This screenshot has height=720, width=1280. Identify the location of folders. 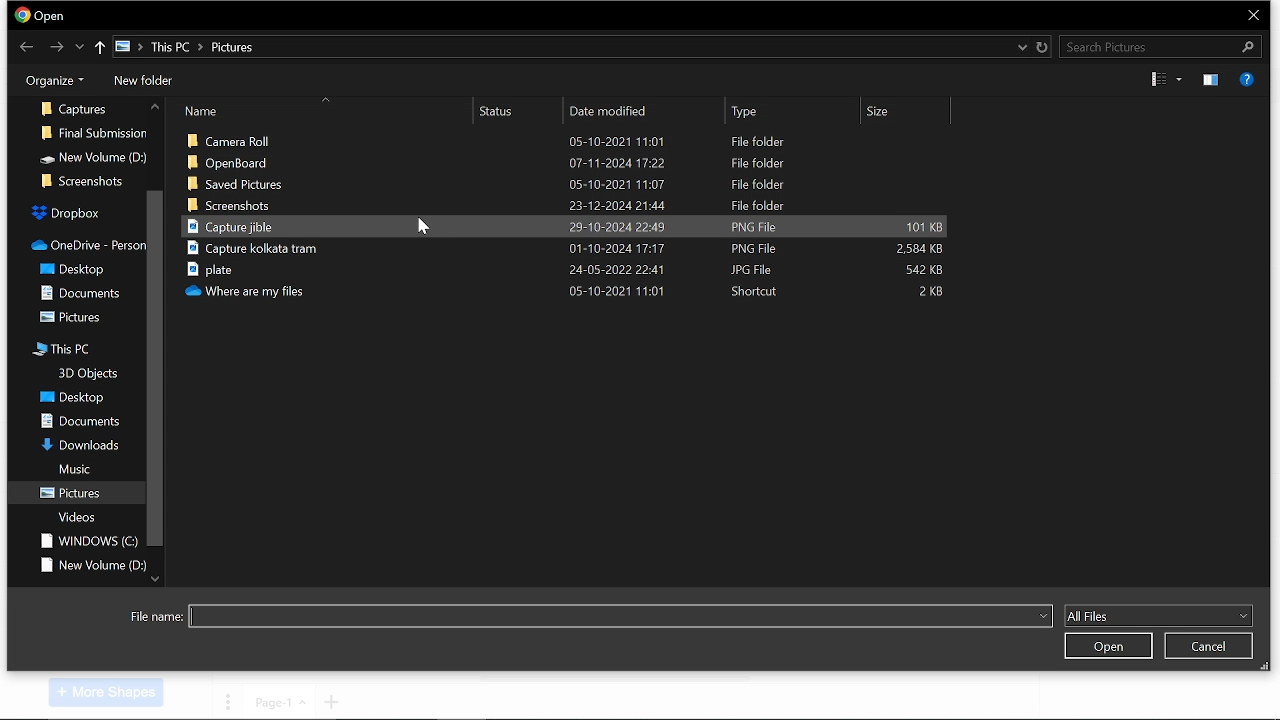
(97, 128).